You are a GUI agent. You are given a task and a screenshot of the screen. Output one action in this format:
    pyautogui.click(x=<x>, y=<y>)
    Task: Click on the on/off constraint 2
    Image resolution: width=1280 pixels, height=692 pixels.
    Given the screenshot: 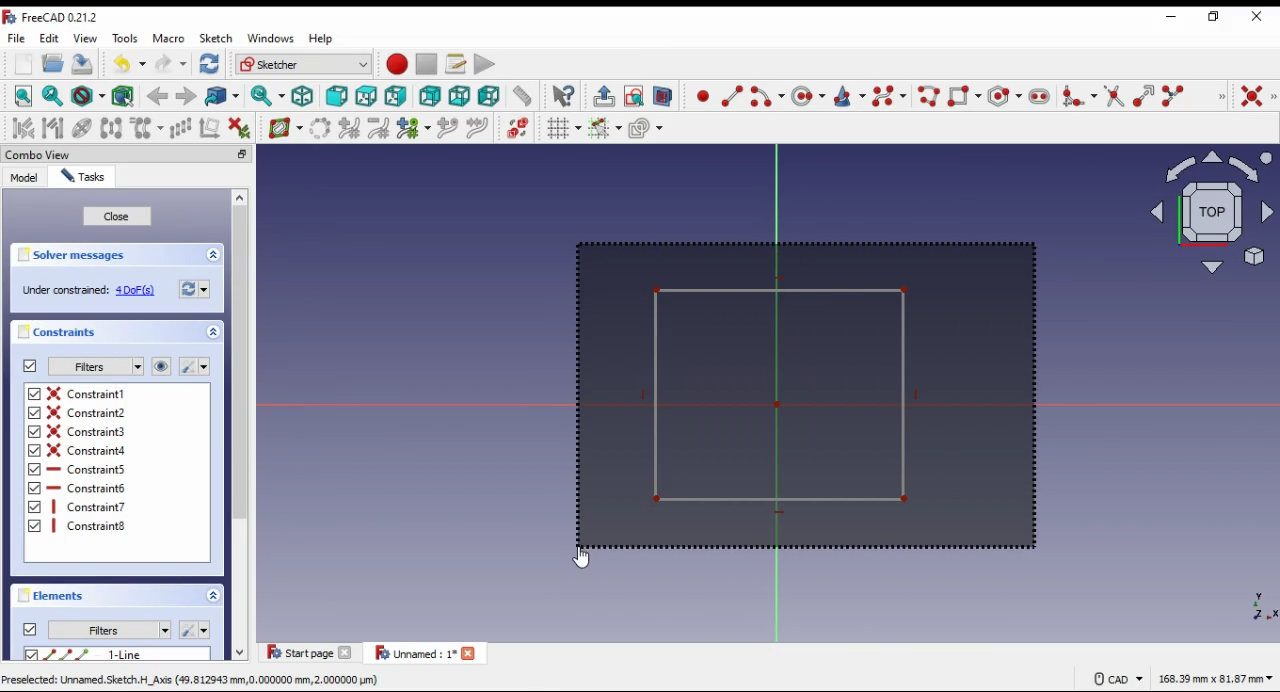 What is the action you would take?
    pyautogui.click(x=88, y=412)
    